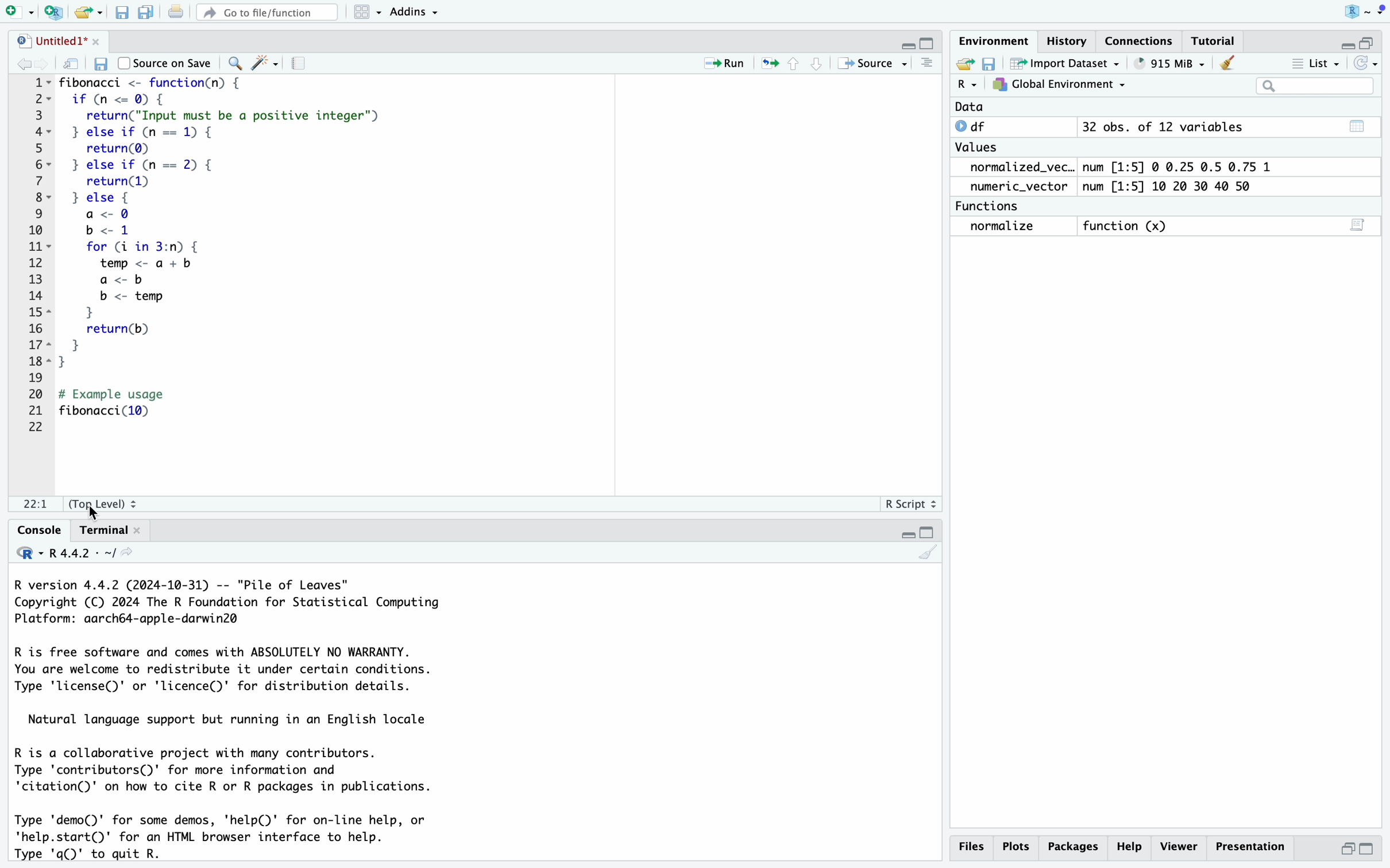 Image resolution: width=1390 pixels, height=868 pixels. What do you see at coordinates (82, 555) in the screenshot?
I see `R 4.4.2 . ~/` at bounding box center [82, 555].